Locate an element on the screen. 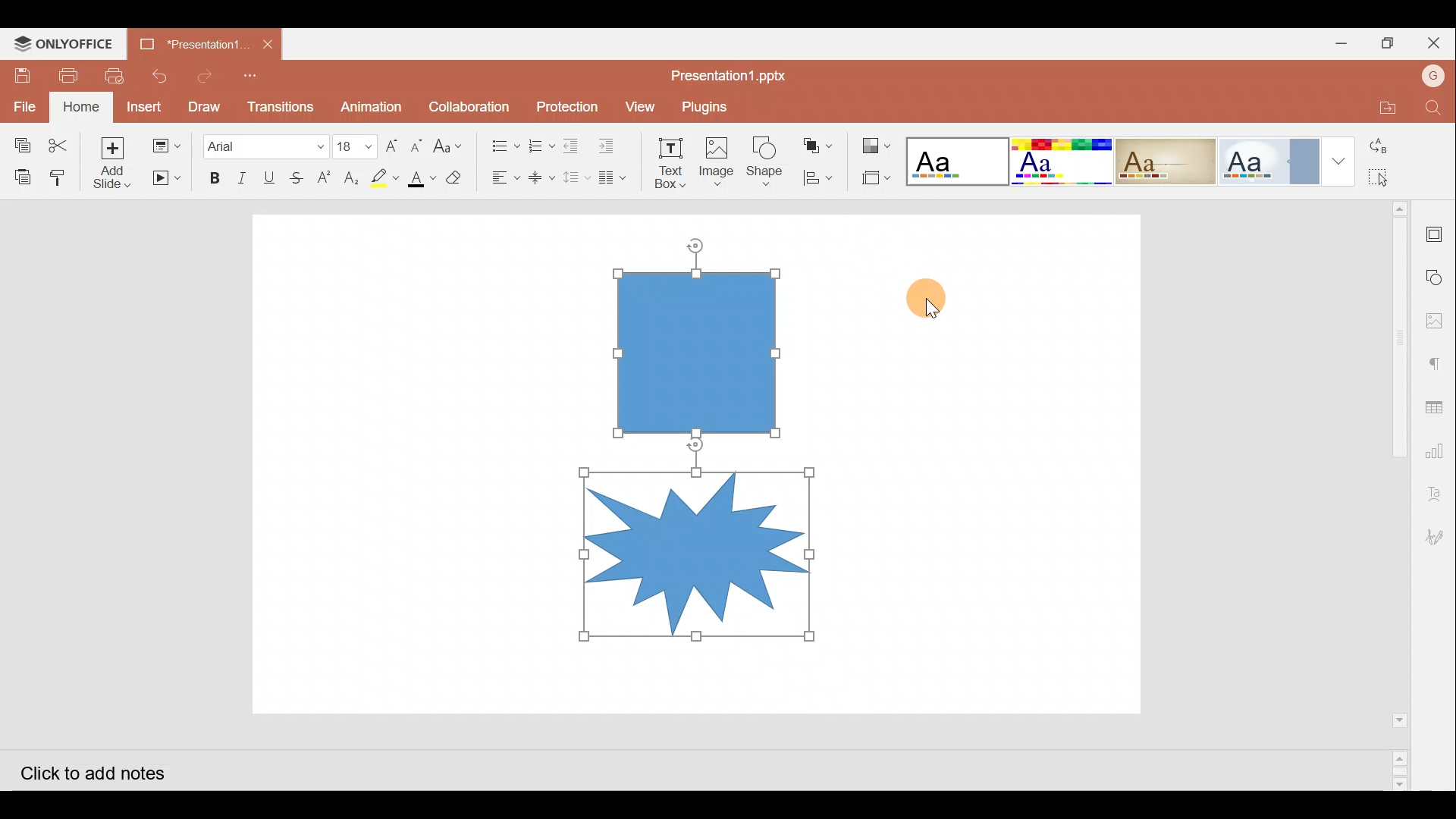 Image resolution: width=1456 pixels, height=819 pixels. Numbering is located at coordinates (537, 143).